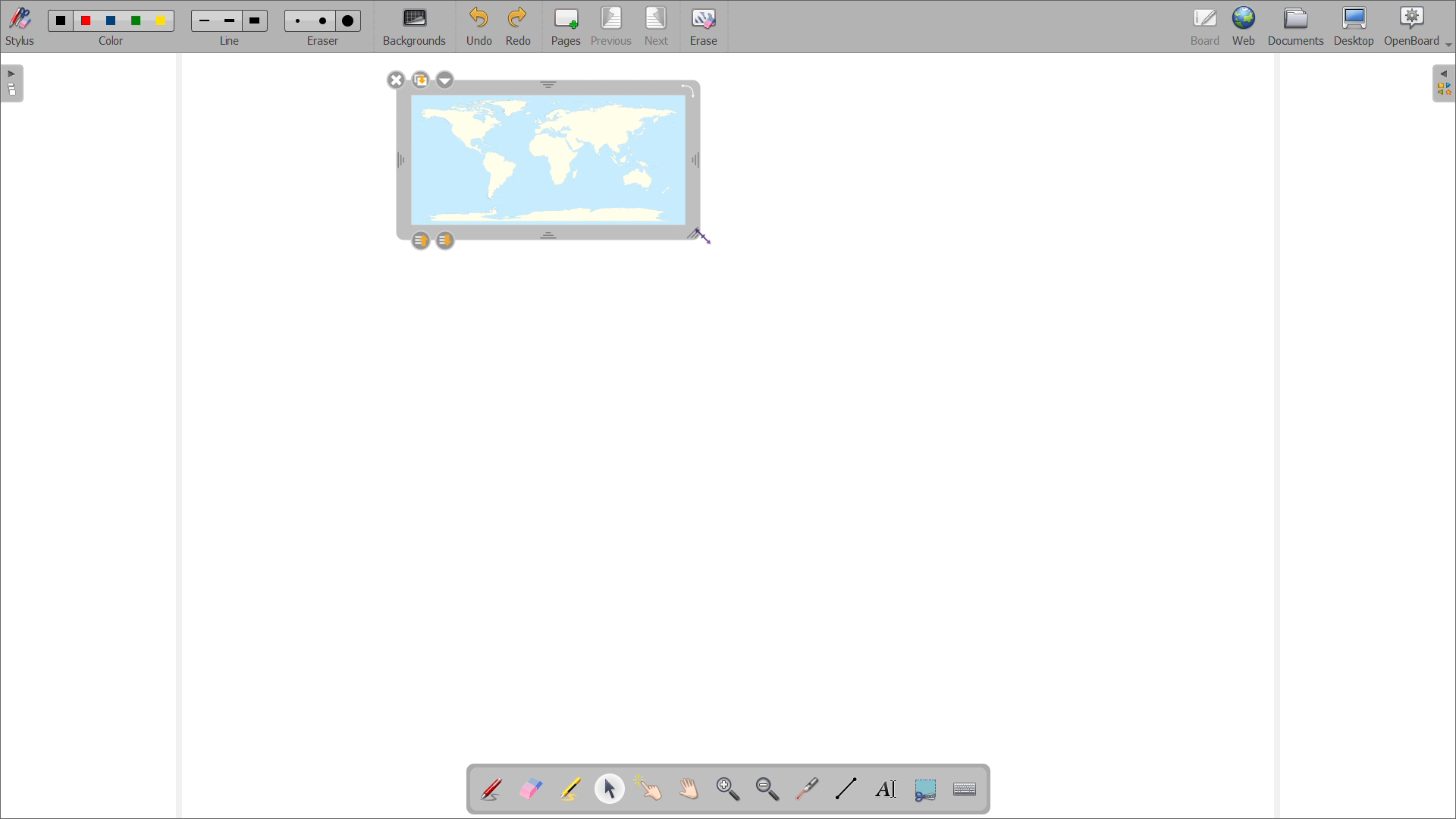  Describe the element at coordinates (690, 89) in the screenshot. I see `rotate` at that location.